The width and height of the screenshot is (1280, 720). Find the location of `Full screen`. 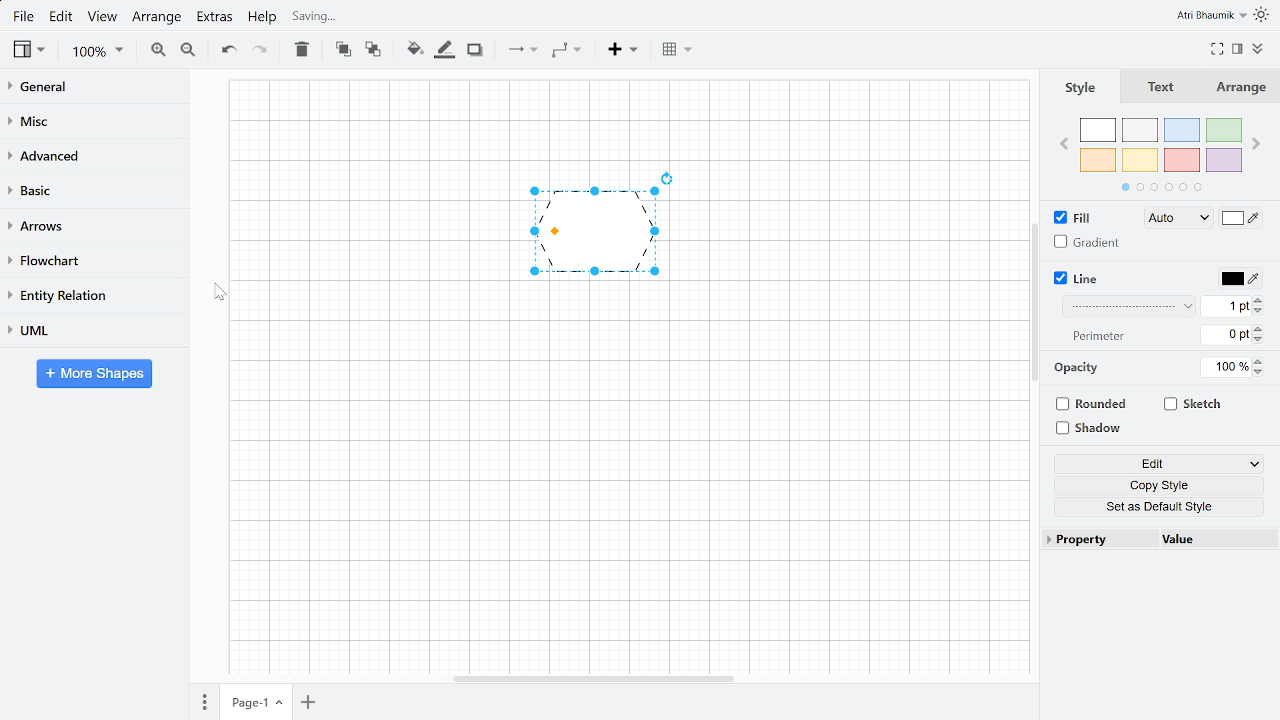

Full screen is located at coordinates (1216, 48).